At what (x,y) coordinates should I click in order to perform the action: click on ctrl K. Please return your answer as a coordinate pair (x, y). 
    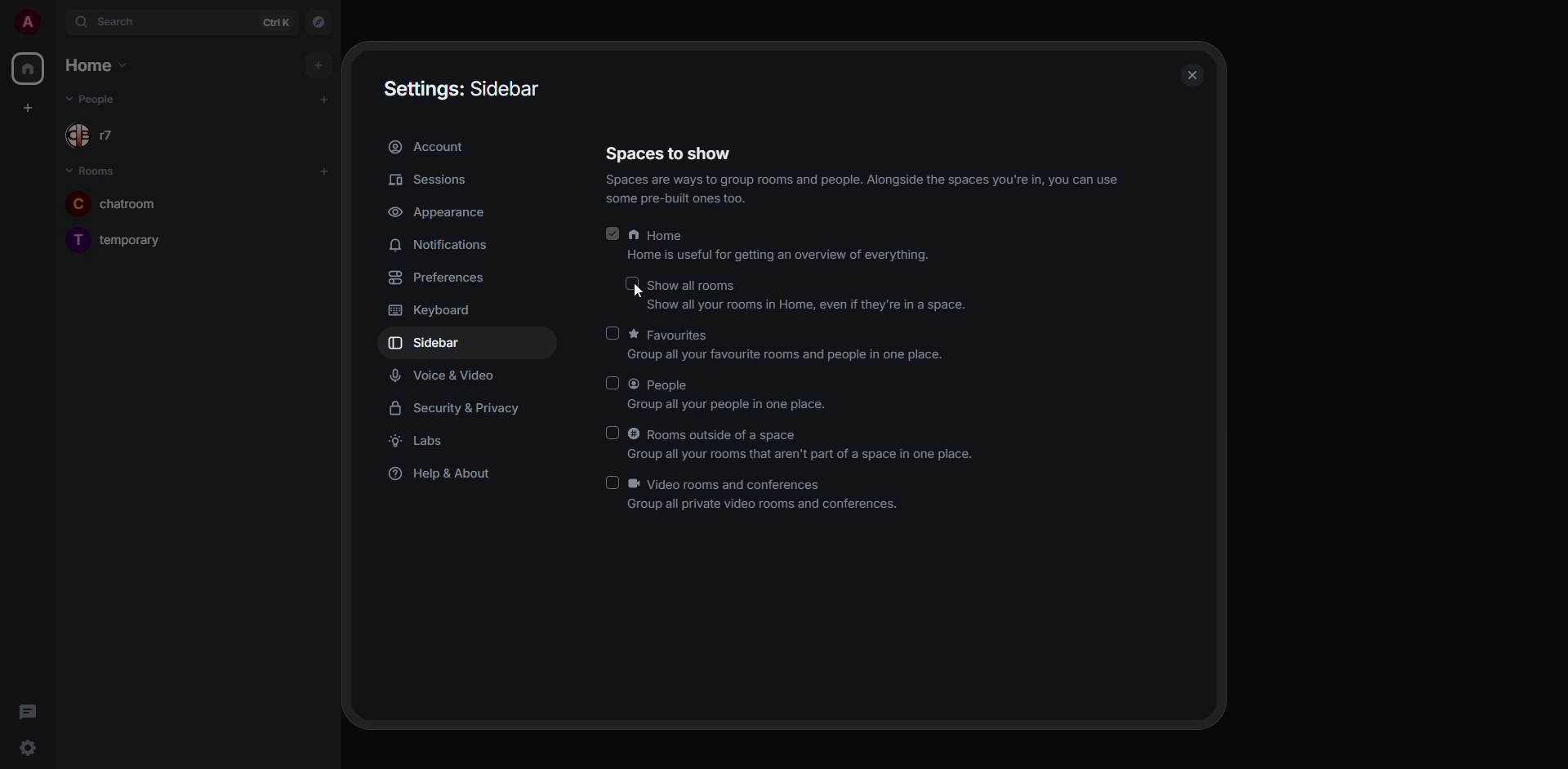
    Looking at the image, I should click on (277, 23).